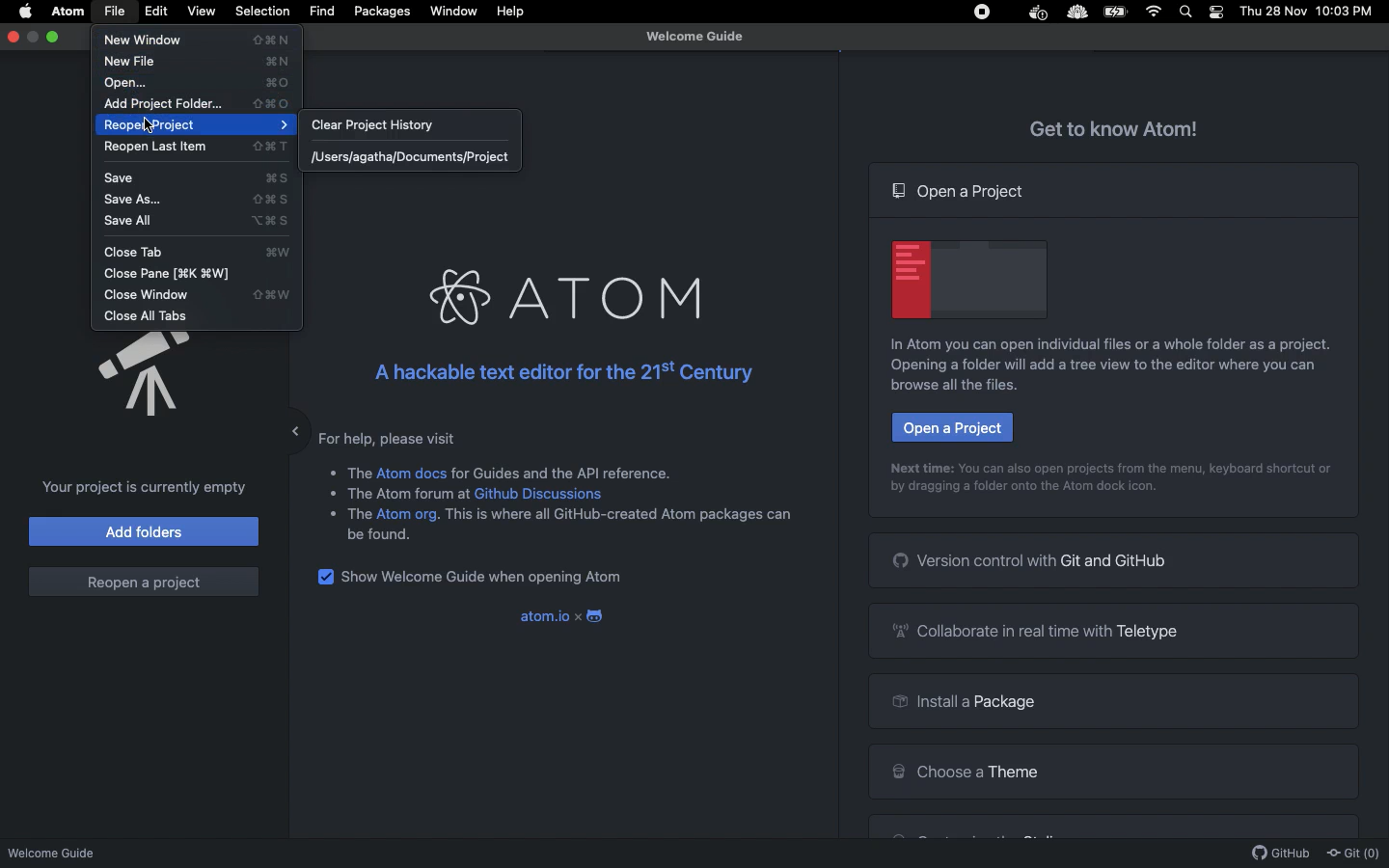  What do you see at coordinates (157, 12) in the screenshot?
I see `Edit` at bounding box center [157, 12].